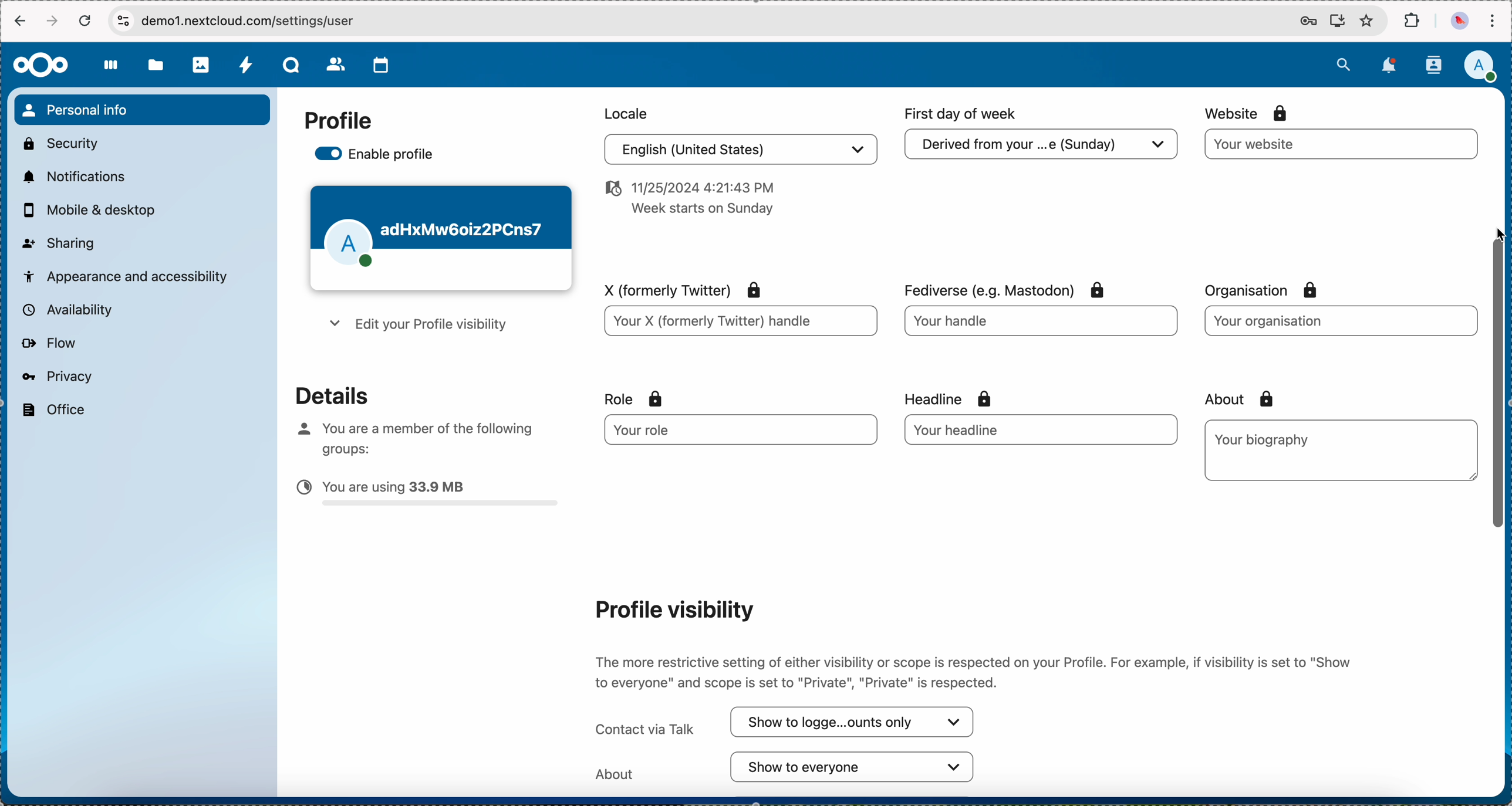 Image resolution: width=1512 pixels, height=806 pixels. What do you see at coordinates (963, 114) in the screenshot?
I see `first day of week` at bounding box center [963, 114].